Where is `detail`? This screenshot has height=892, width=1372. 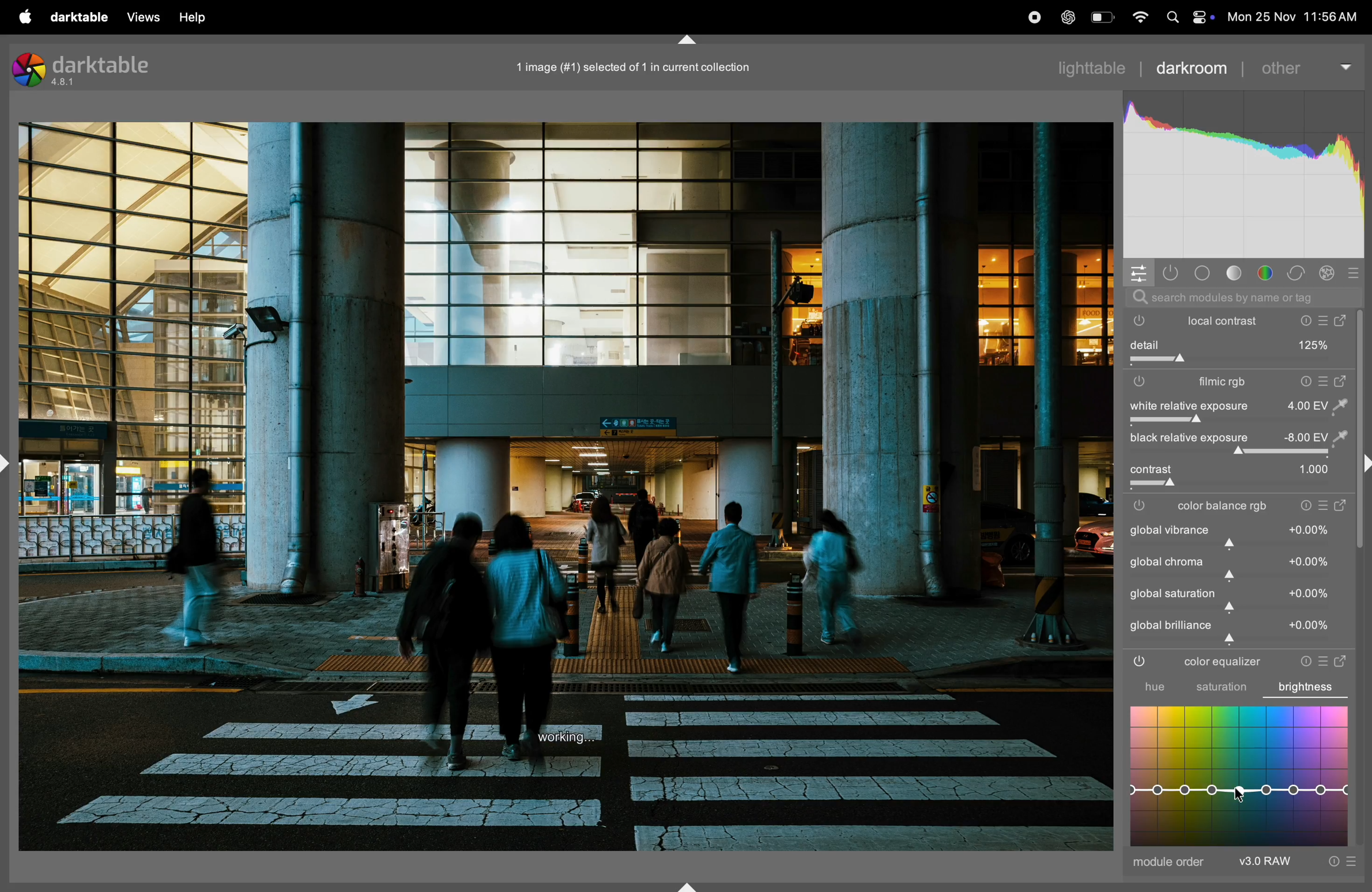
detail is located at coordinates (1238, 344).